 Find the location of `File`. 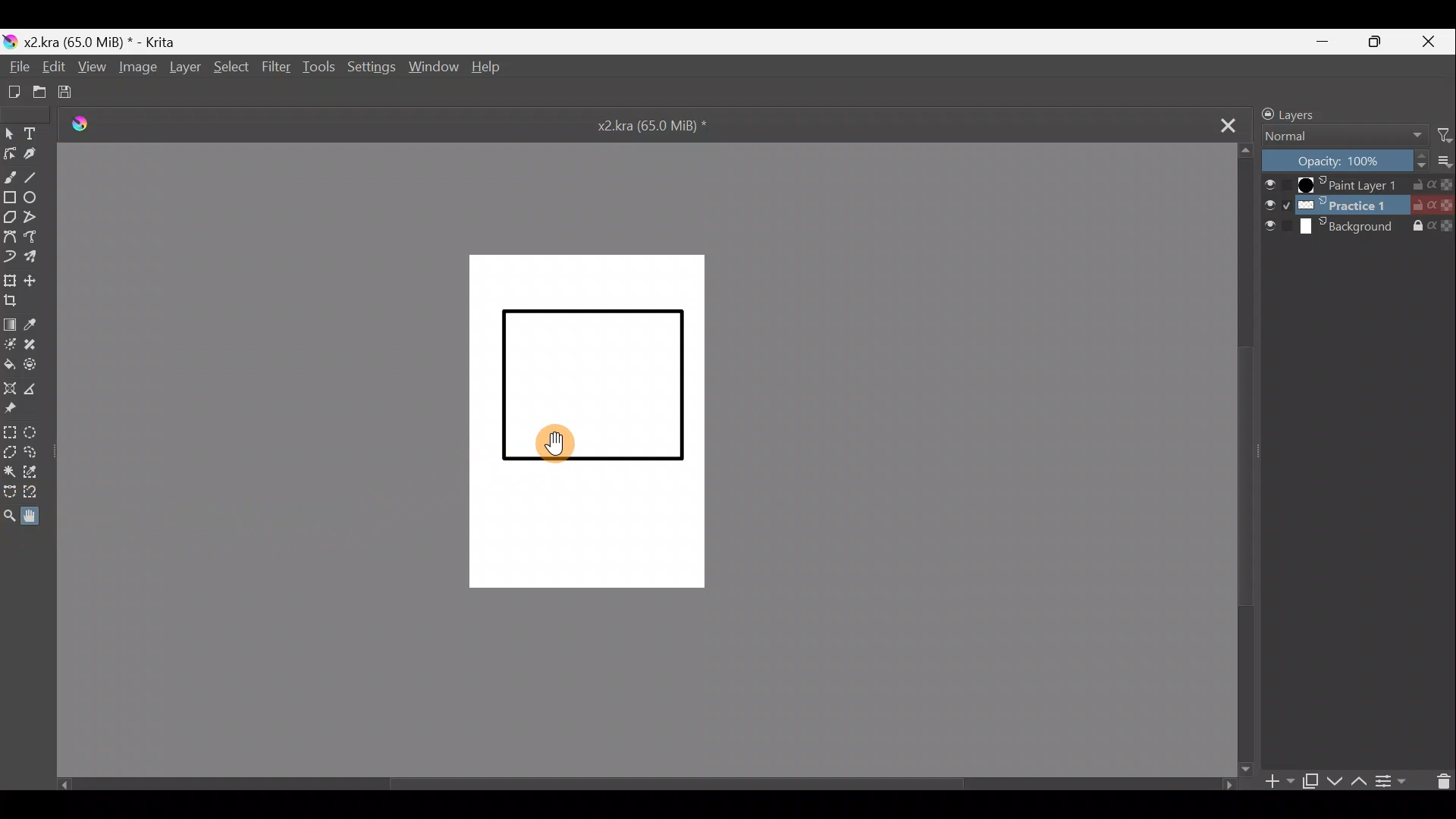

File is located at coordinates (17, 67).